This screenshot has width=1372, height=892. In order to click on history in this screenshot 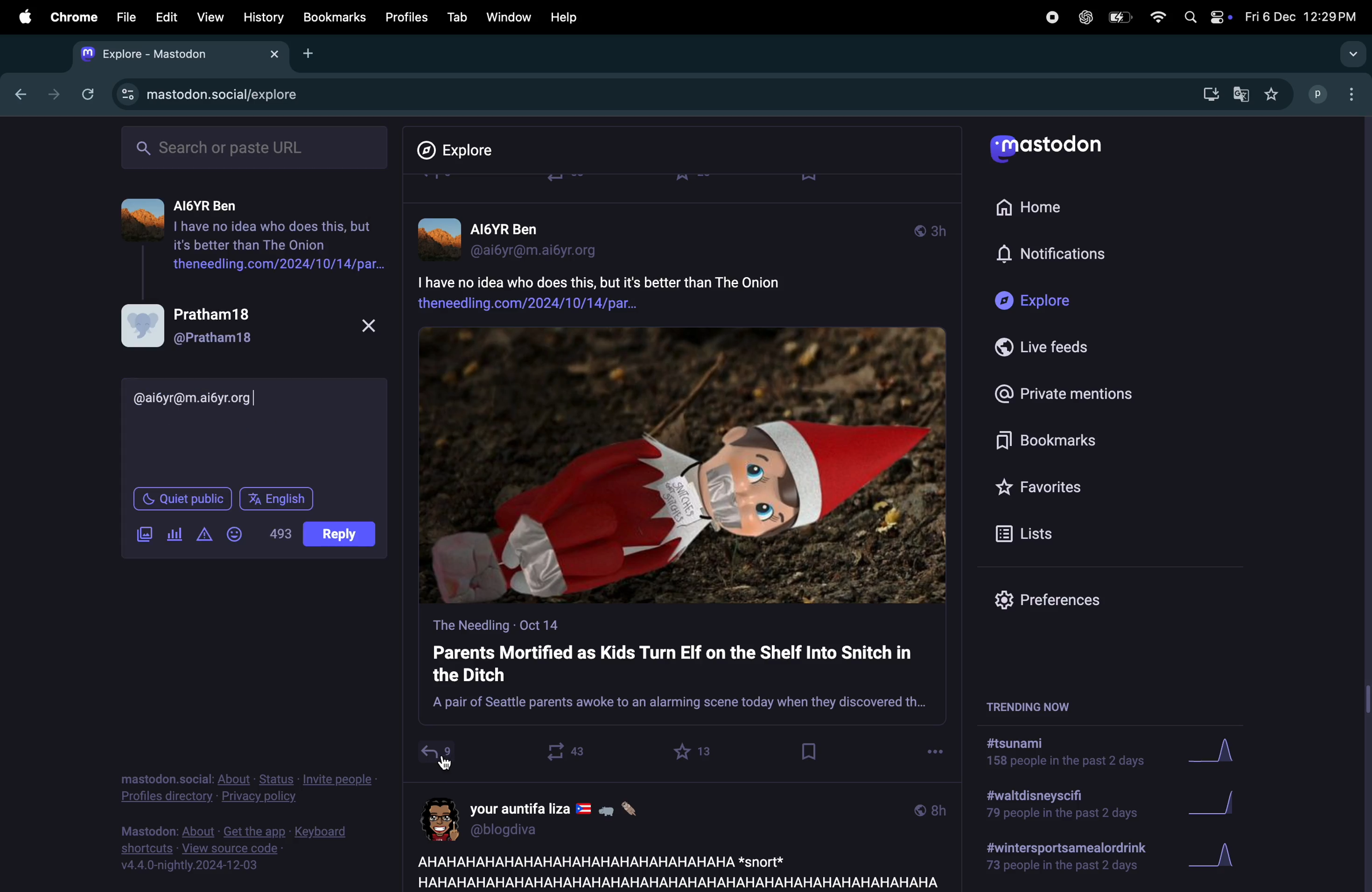, I will do `click(265, 17)`.